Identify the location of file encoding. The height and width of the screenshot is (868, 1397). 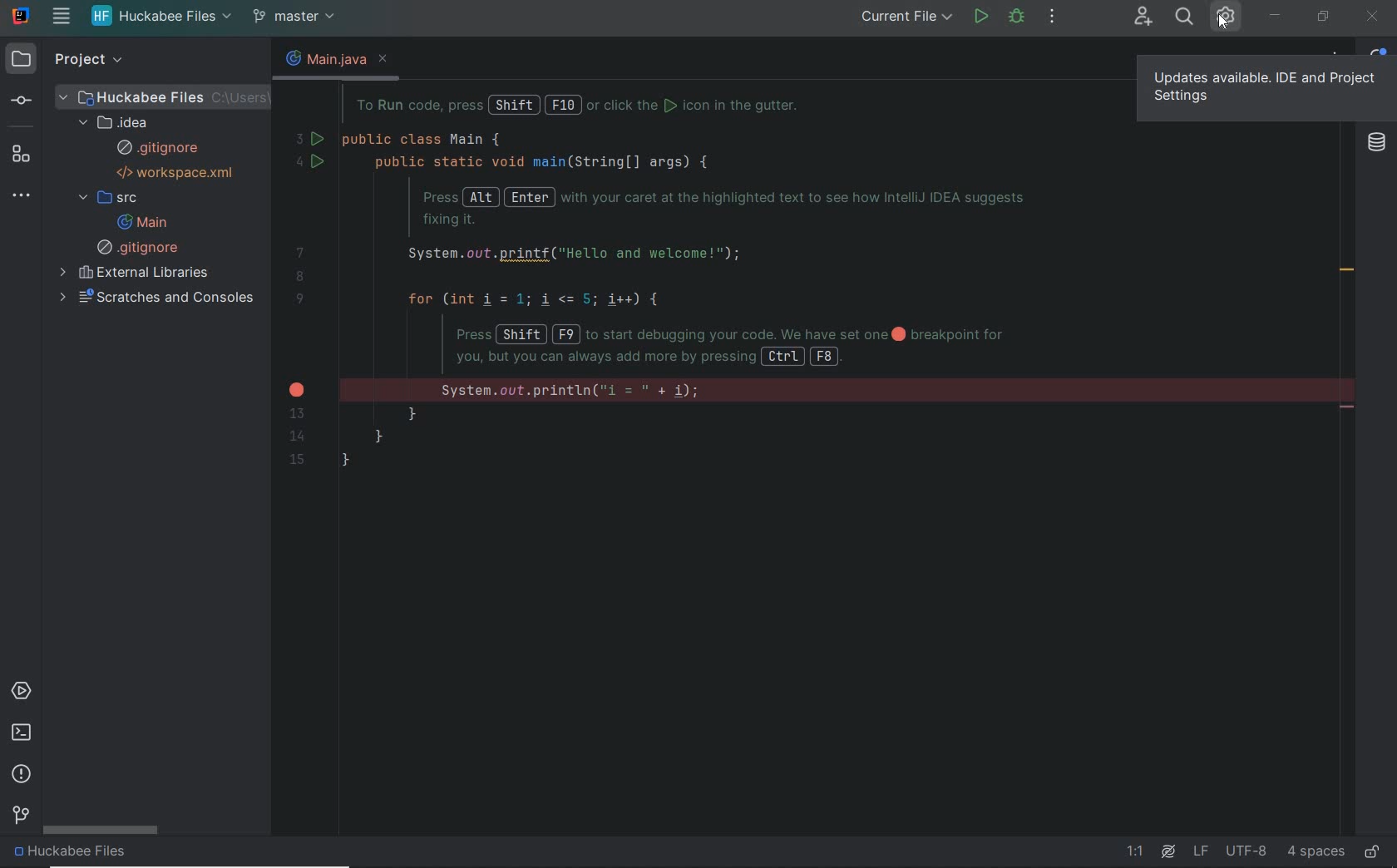
(1246, 851).